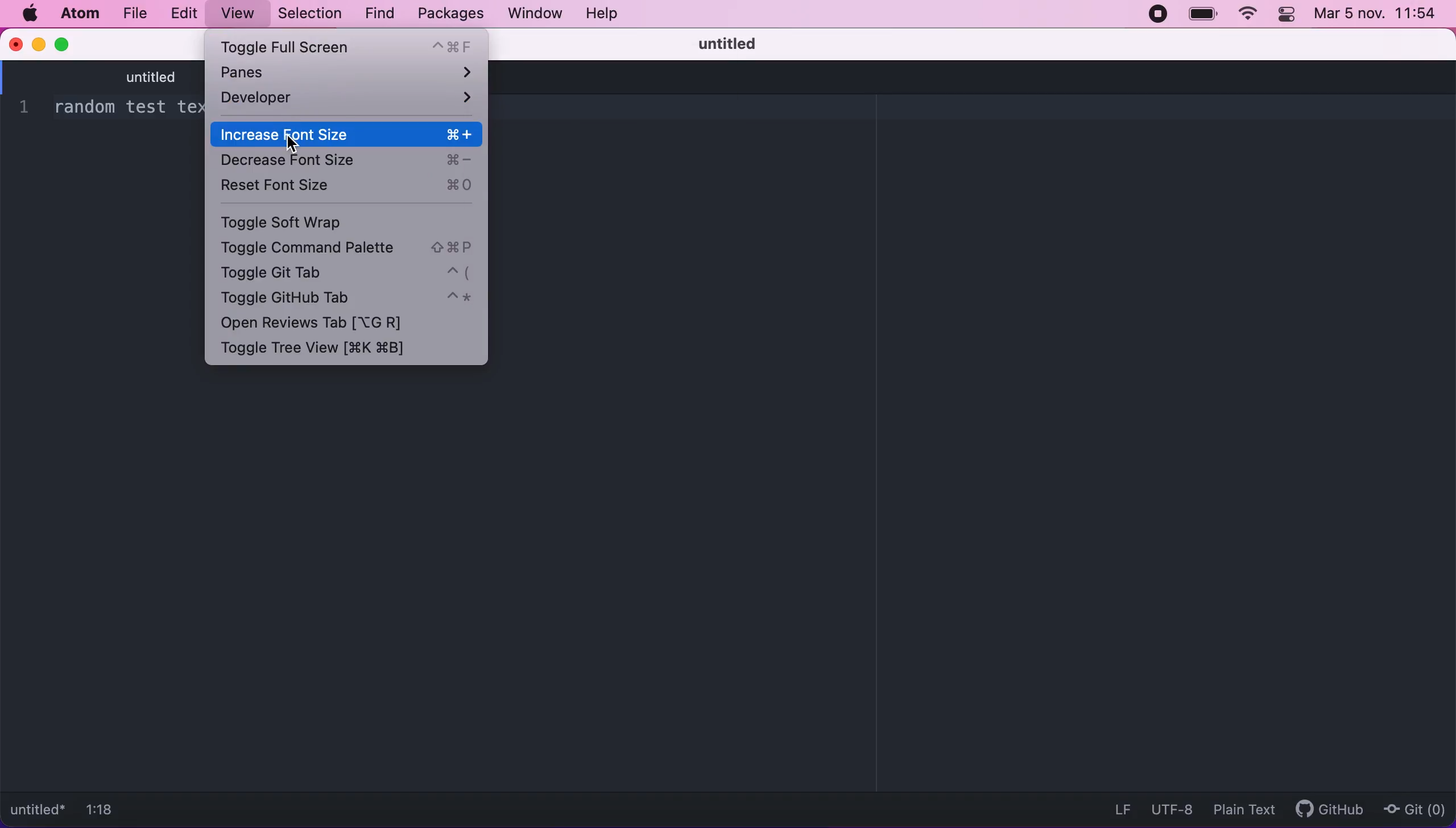  I want to click on recording stopped, so click(1161, 17).